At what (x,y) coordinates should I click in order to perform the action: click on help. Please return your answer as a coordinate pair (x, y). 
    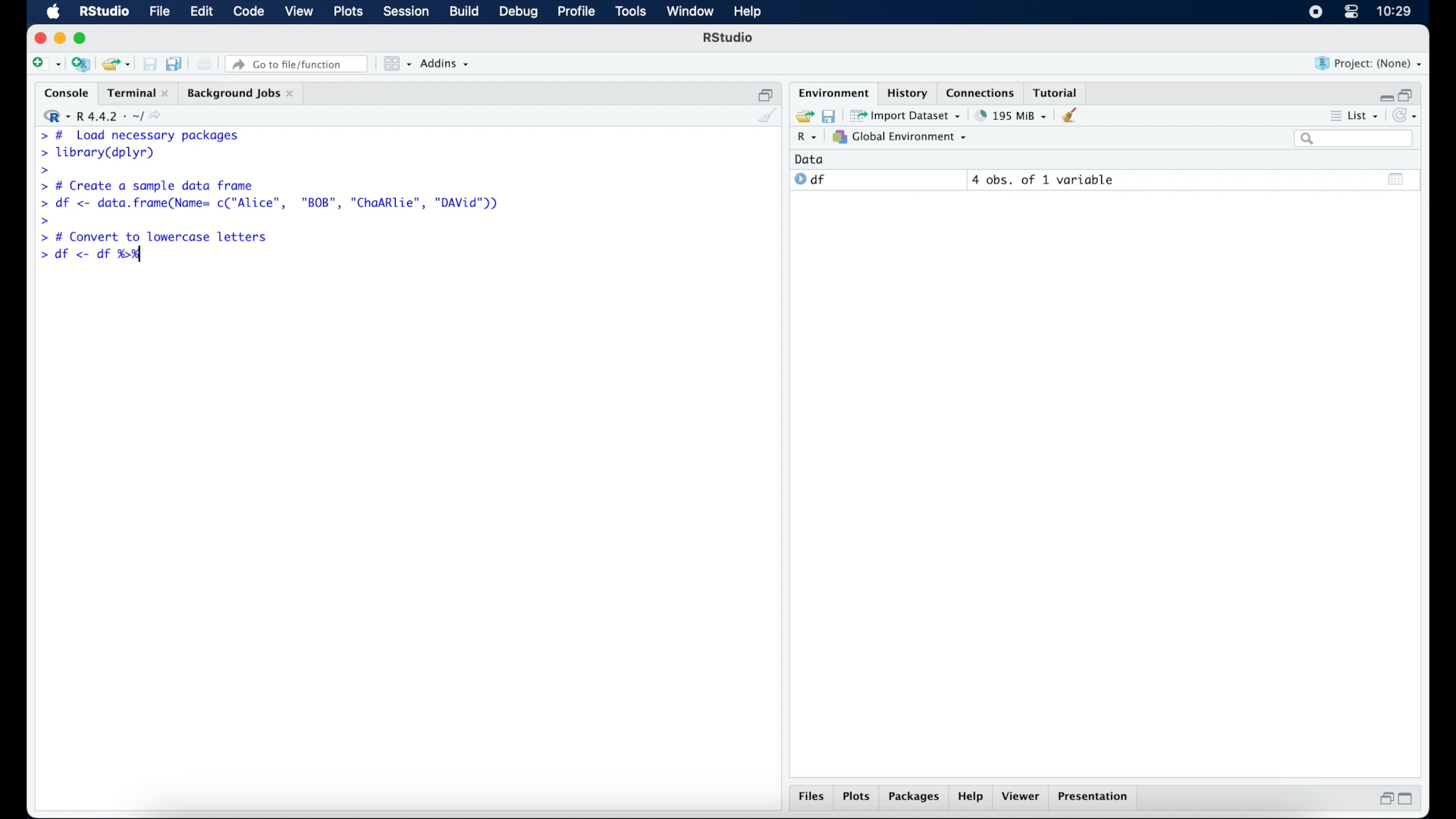
    Looking at the image, I should click on (971, 799).